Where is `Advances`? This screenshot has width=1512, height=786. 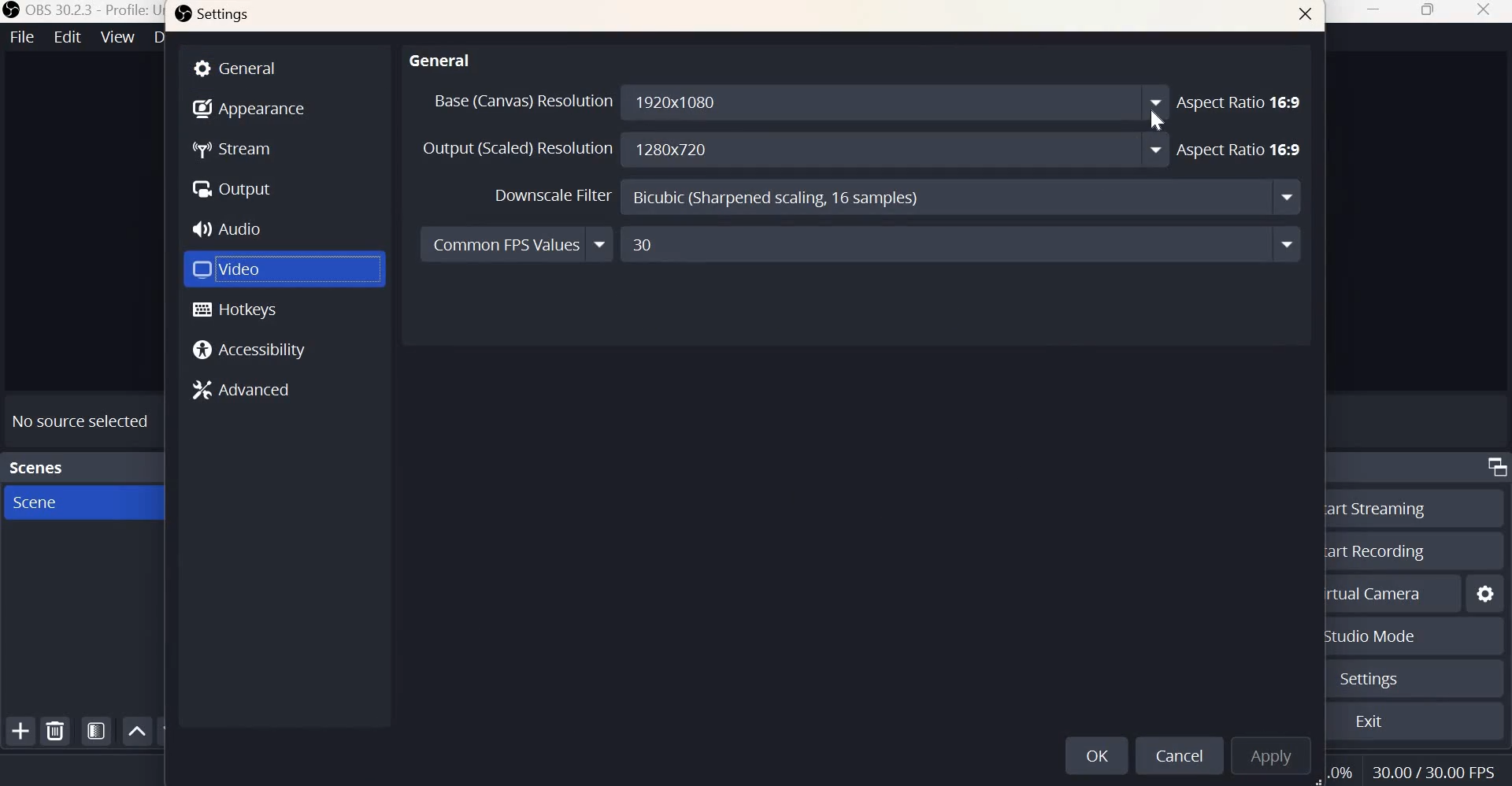 Advances is located at coordinates (249, 391).